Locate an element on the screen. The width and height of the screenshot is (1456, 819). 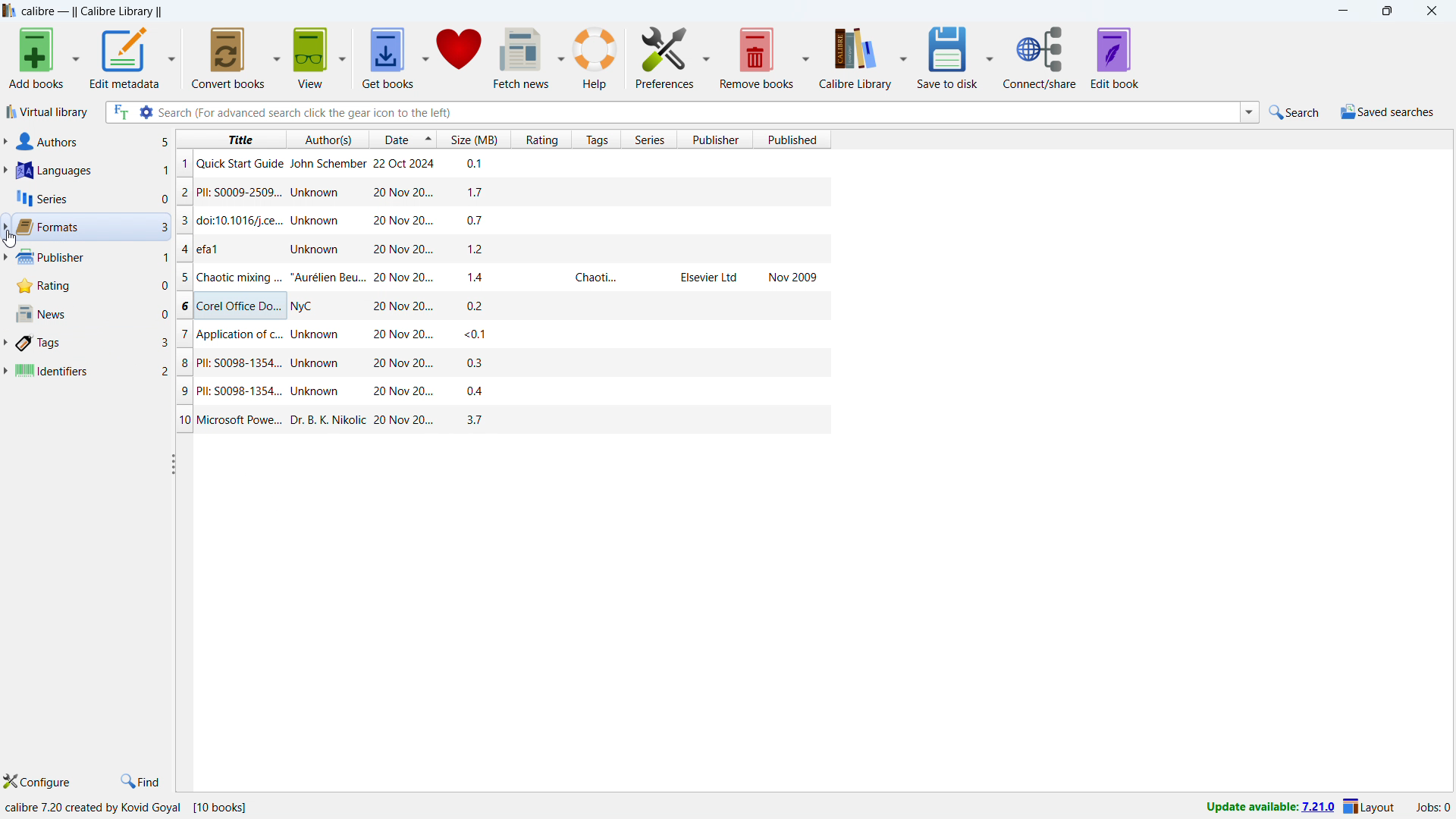
update is located at coordinates (1269, 807).